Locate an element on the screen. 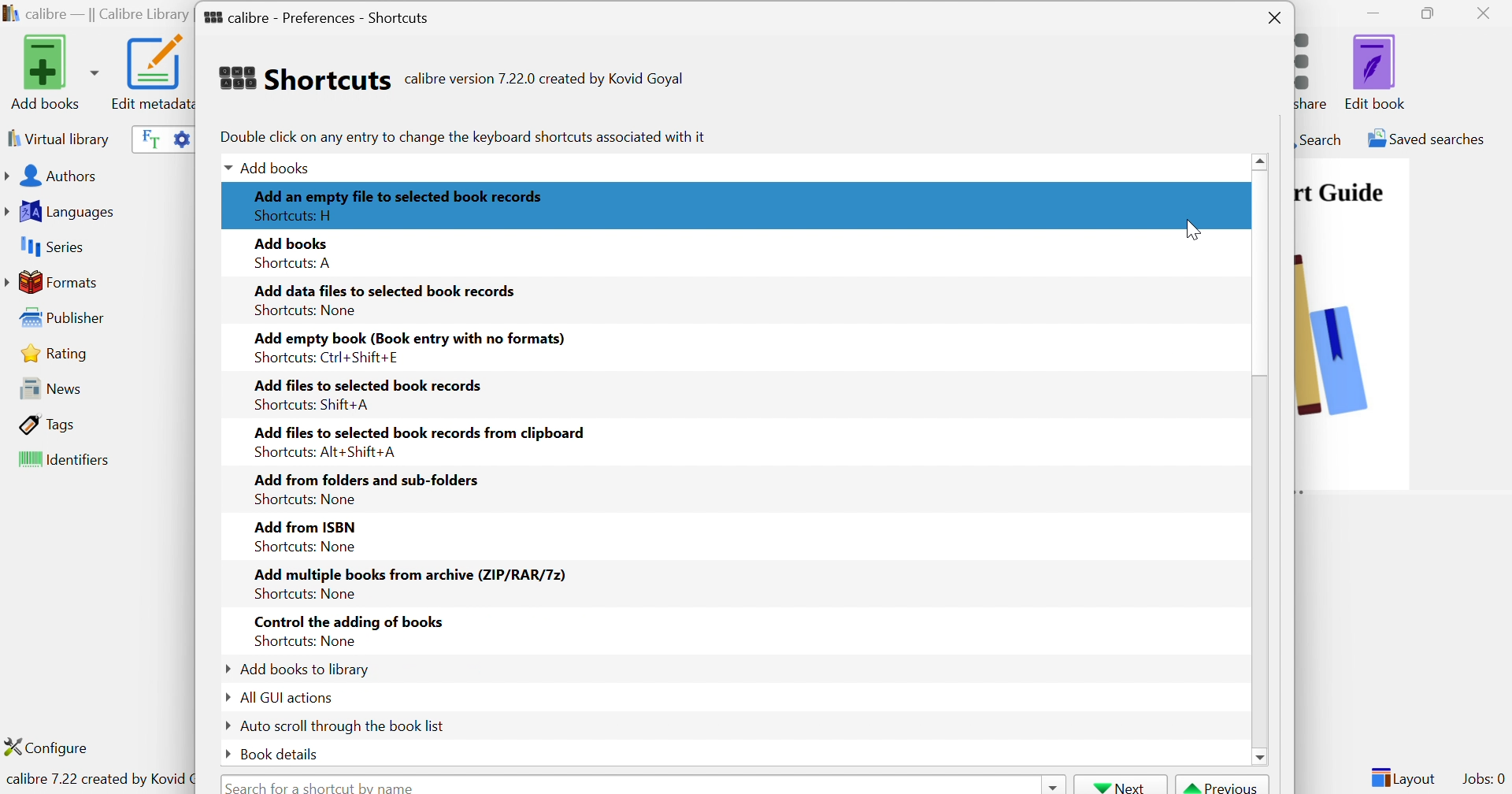  Edit metadata is located at coordinates (150, 72).